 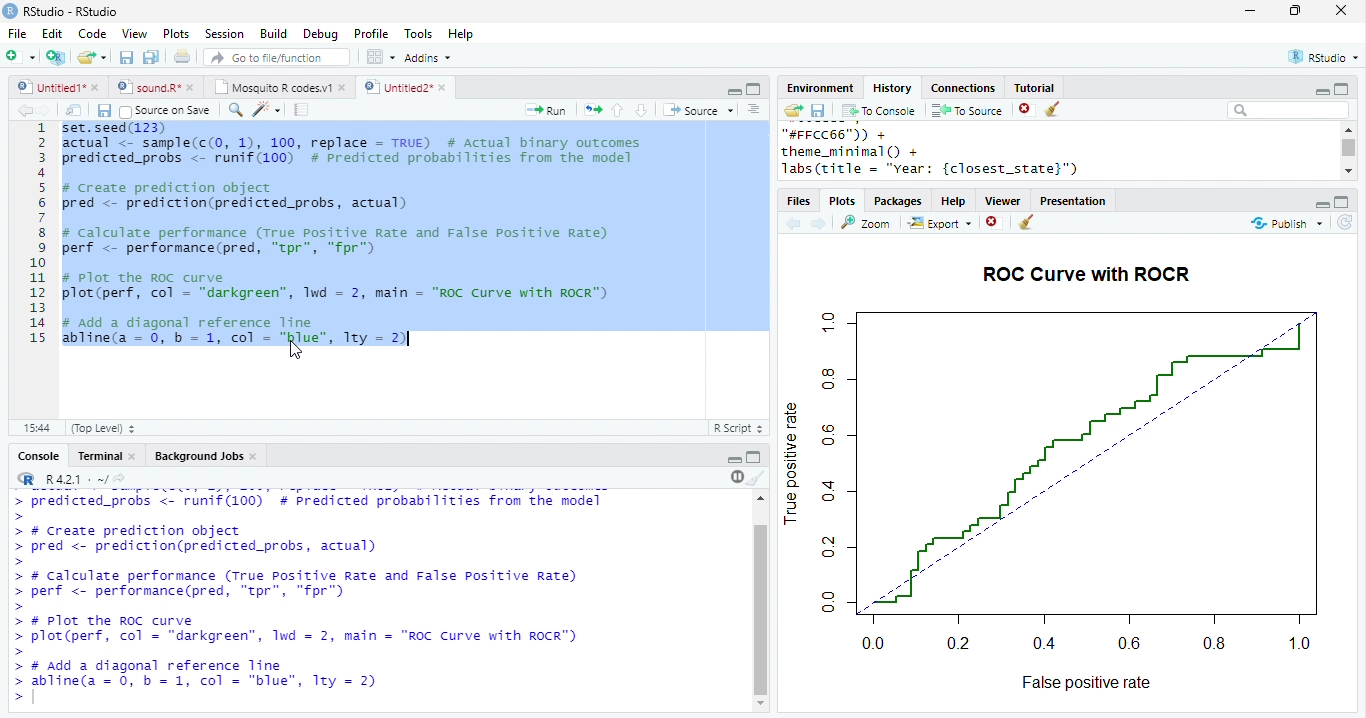 I want to click on graph, so click(x=1087, y=463).